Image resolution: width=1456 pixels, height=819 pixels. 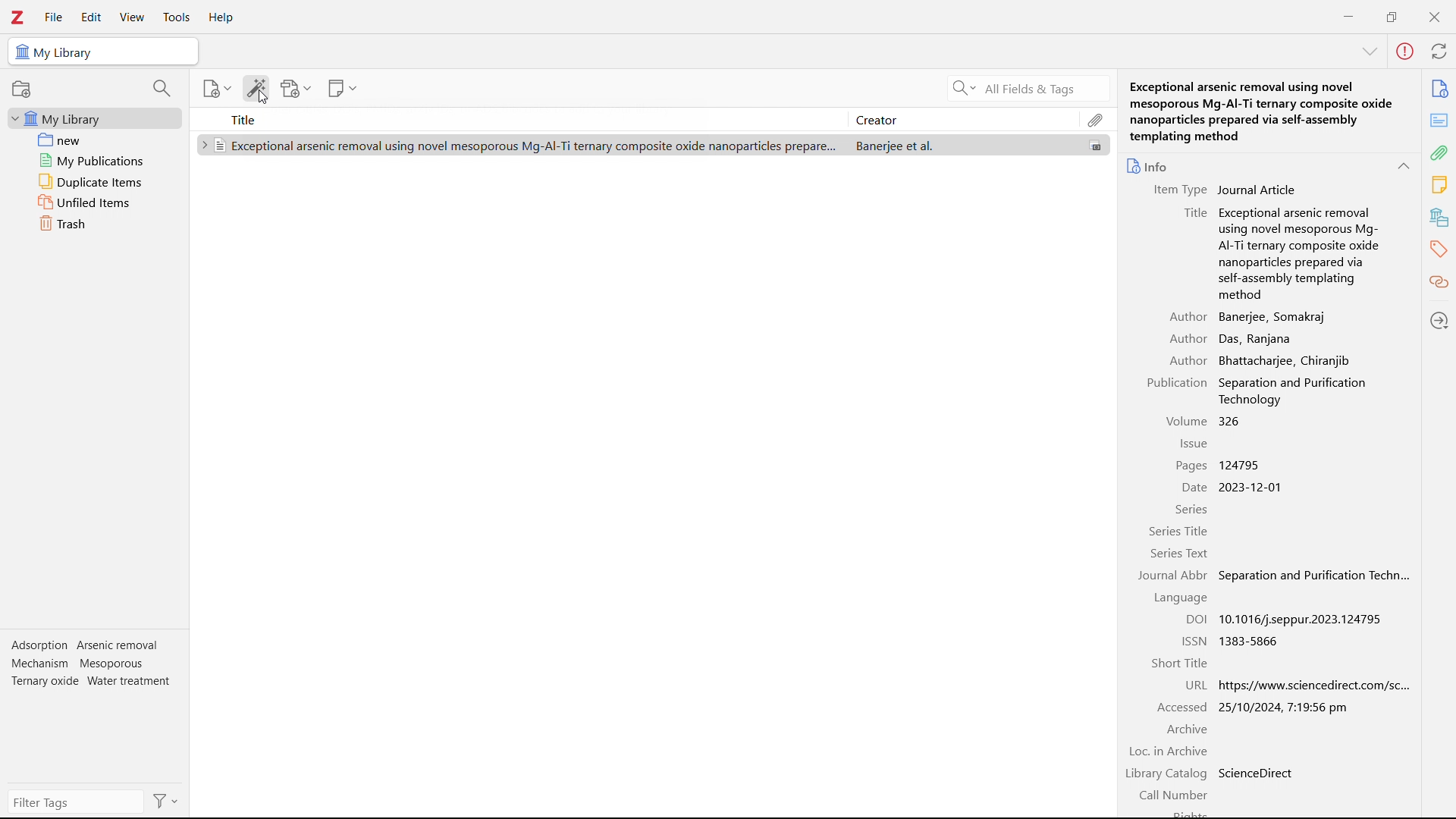 I want to click on Journal abbreviation, so click(x=1173, y=576).